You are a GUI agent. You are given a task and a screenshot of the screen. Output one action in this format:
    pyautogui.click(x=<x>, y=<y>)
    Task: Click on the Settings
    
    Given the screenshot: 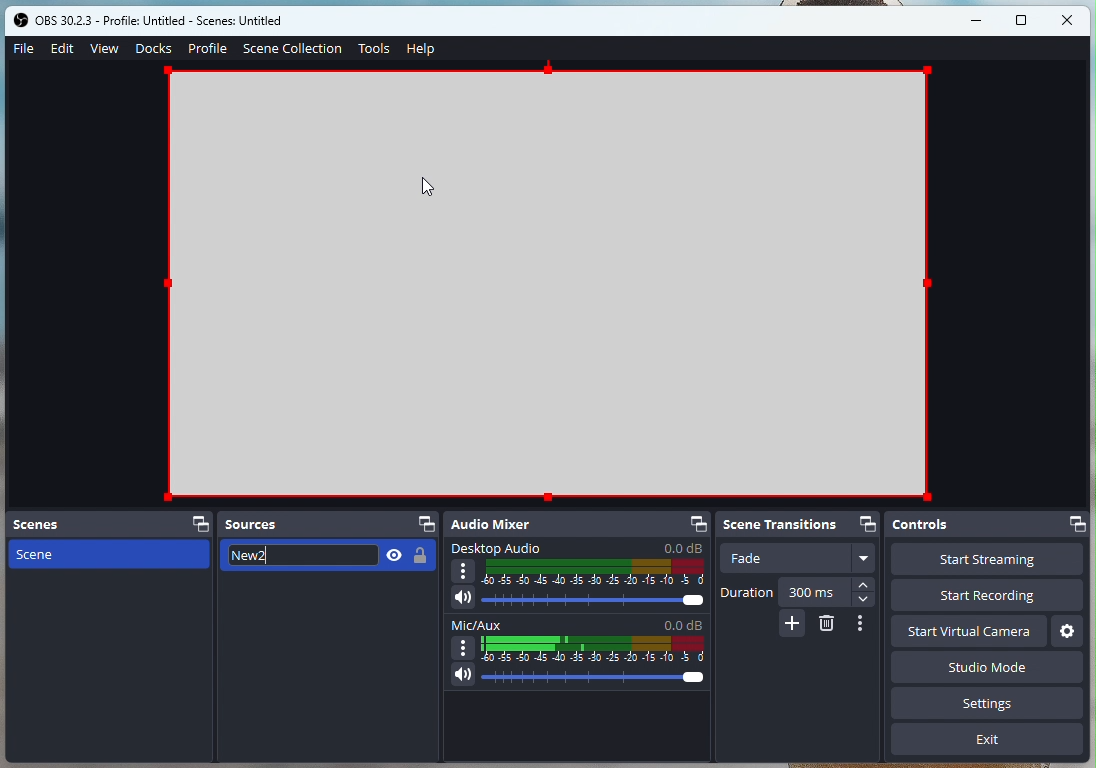 What is the action you would take?
    pyautogui.click(x=1066, y=630)
    